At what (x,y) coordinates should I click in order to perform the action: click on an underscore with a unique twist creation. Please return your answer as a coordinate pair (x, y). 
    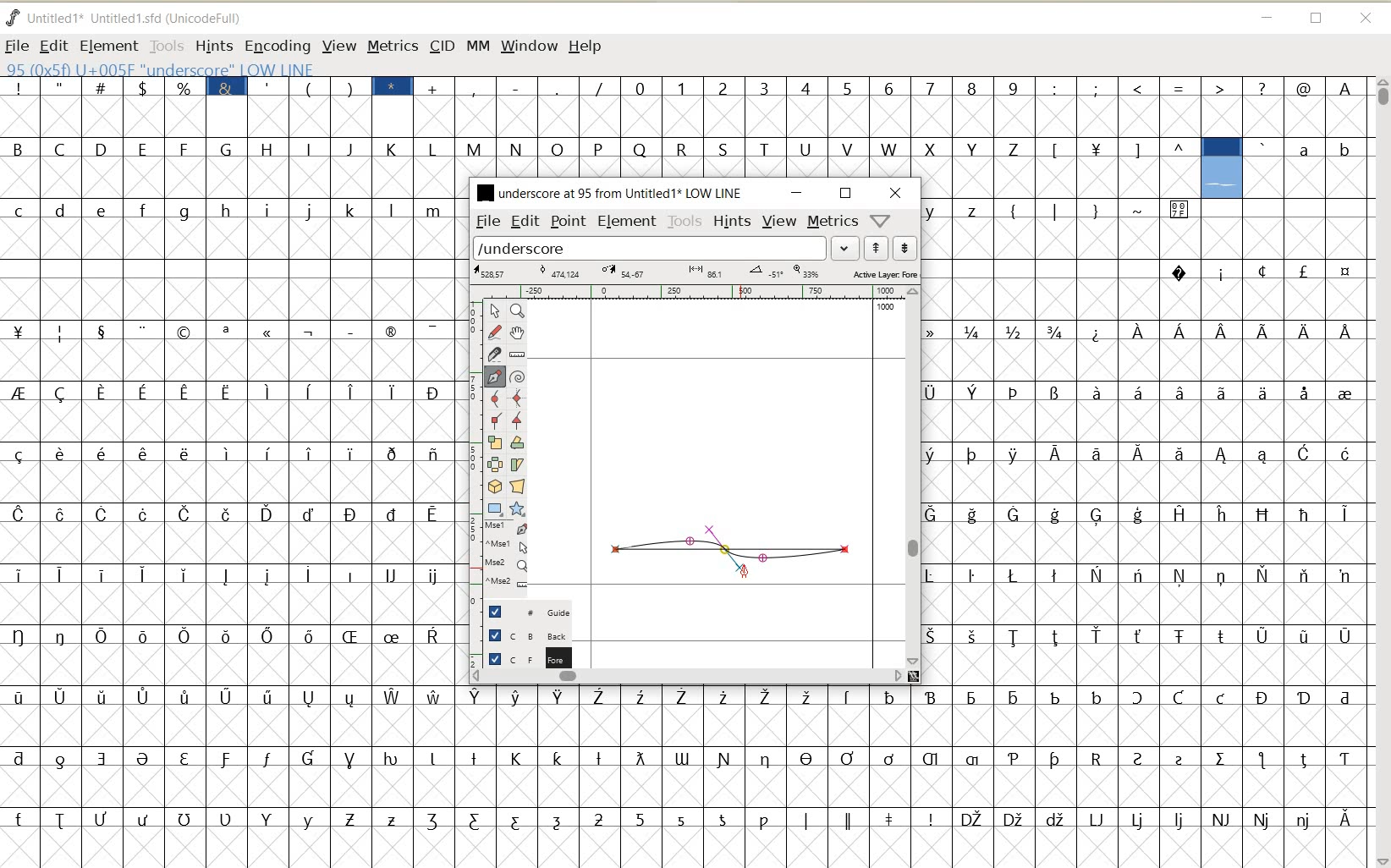
    Looking at the image, I should click on (731, 547).